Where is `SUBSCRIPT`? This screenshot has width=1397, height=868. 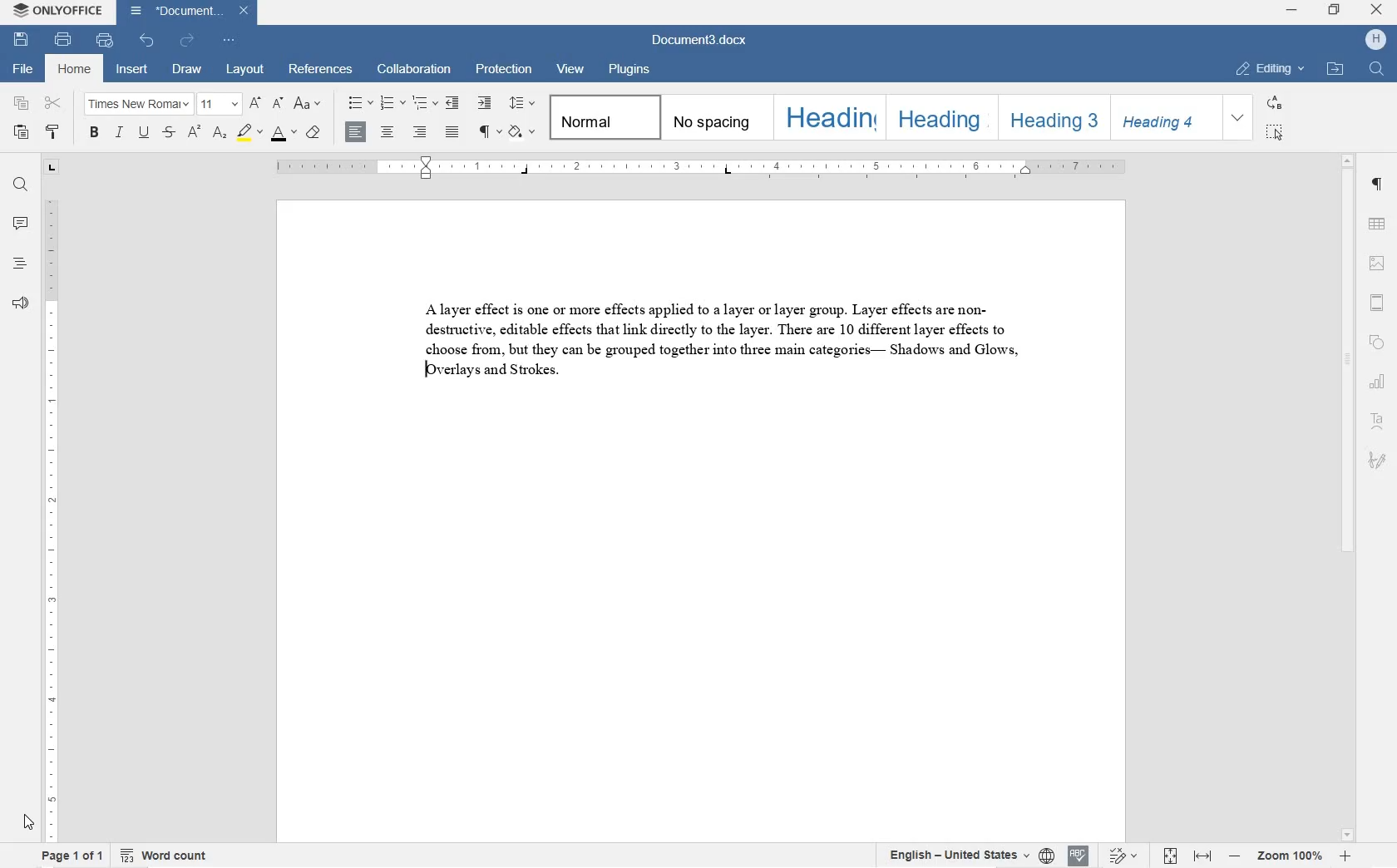 SUBSCRIPT is located at coordinates (220, 135).